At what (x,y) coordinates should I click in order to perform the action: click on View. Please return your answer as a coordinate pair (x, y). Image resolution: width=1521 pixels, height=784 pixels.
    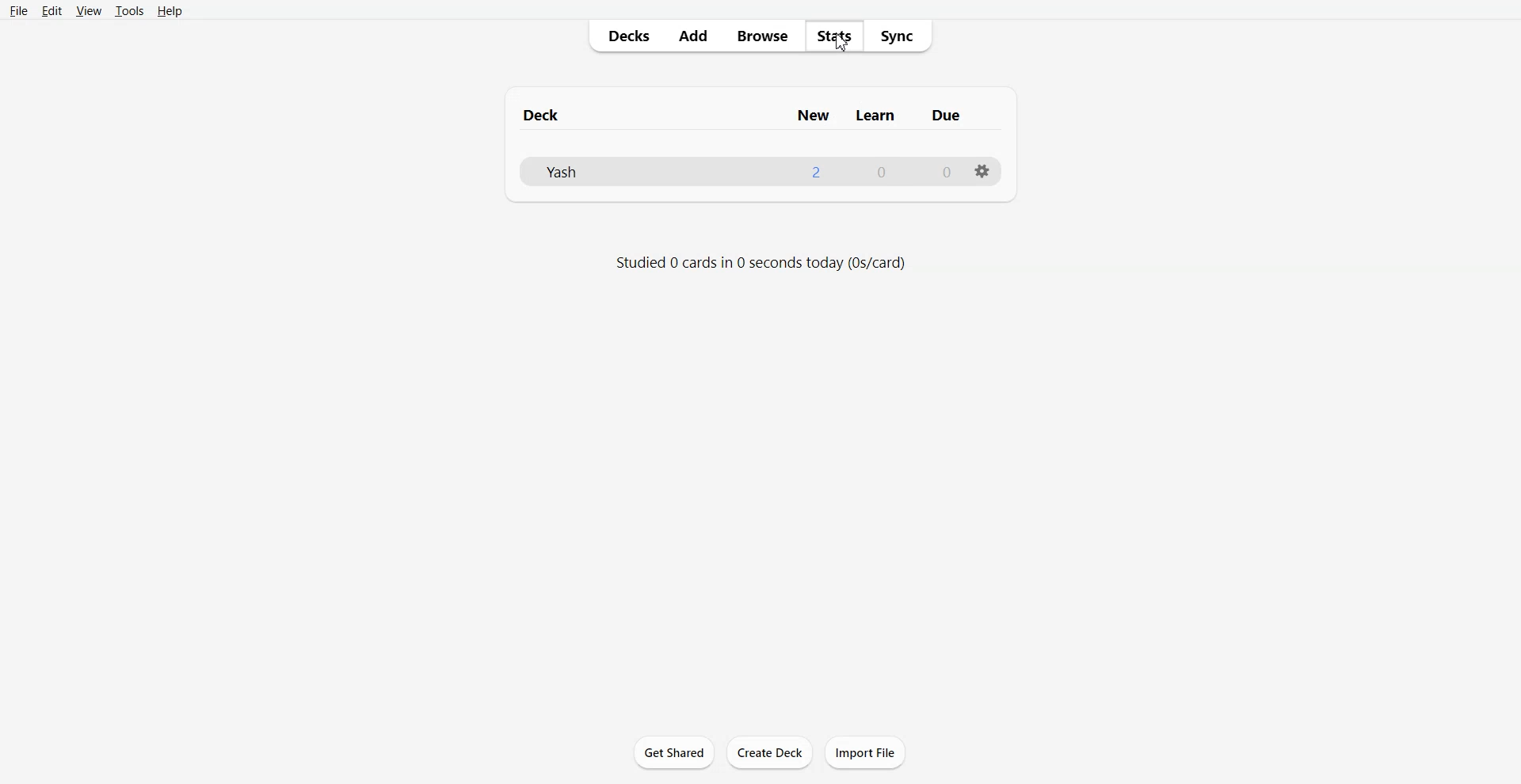
    Looking at the image, I should click on (88, 11).